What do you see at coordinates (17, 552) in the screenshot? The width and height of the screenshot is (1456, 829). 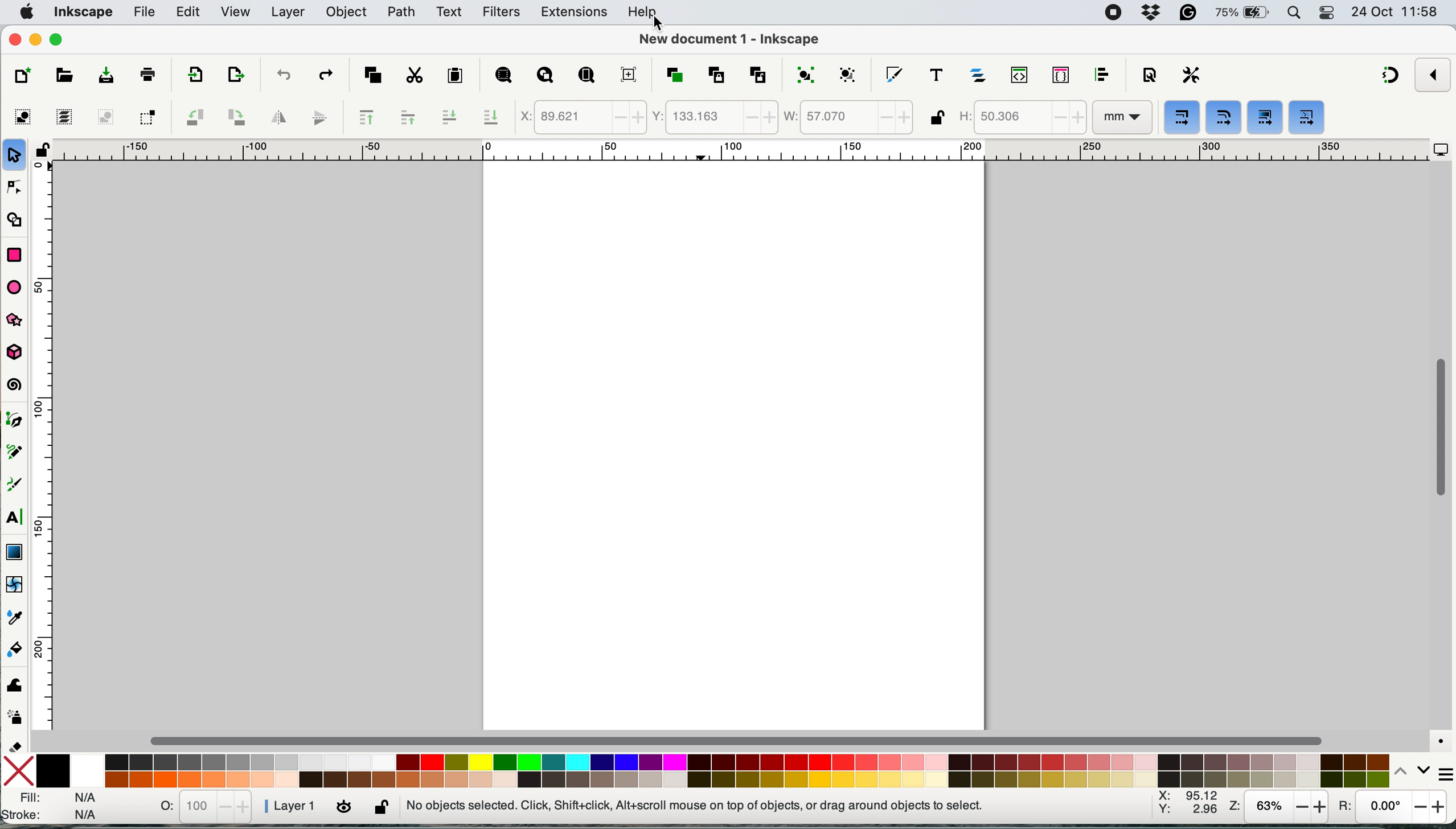 I see `gradient tool` at bounding box center [17, 552].